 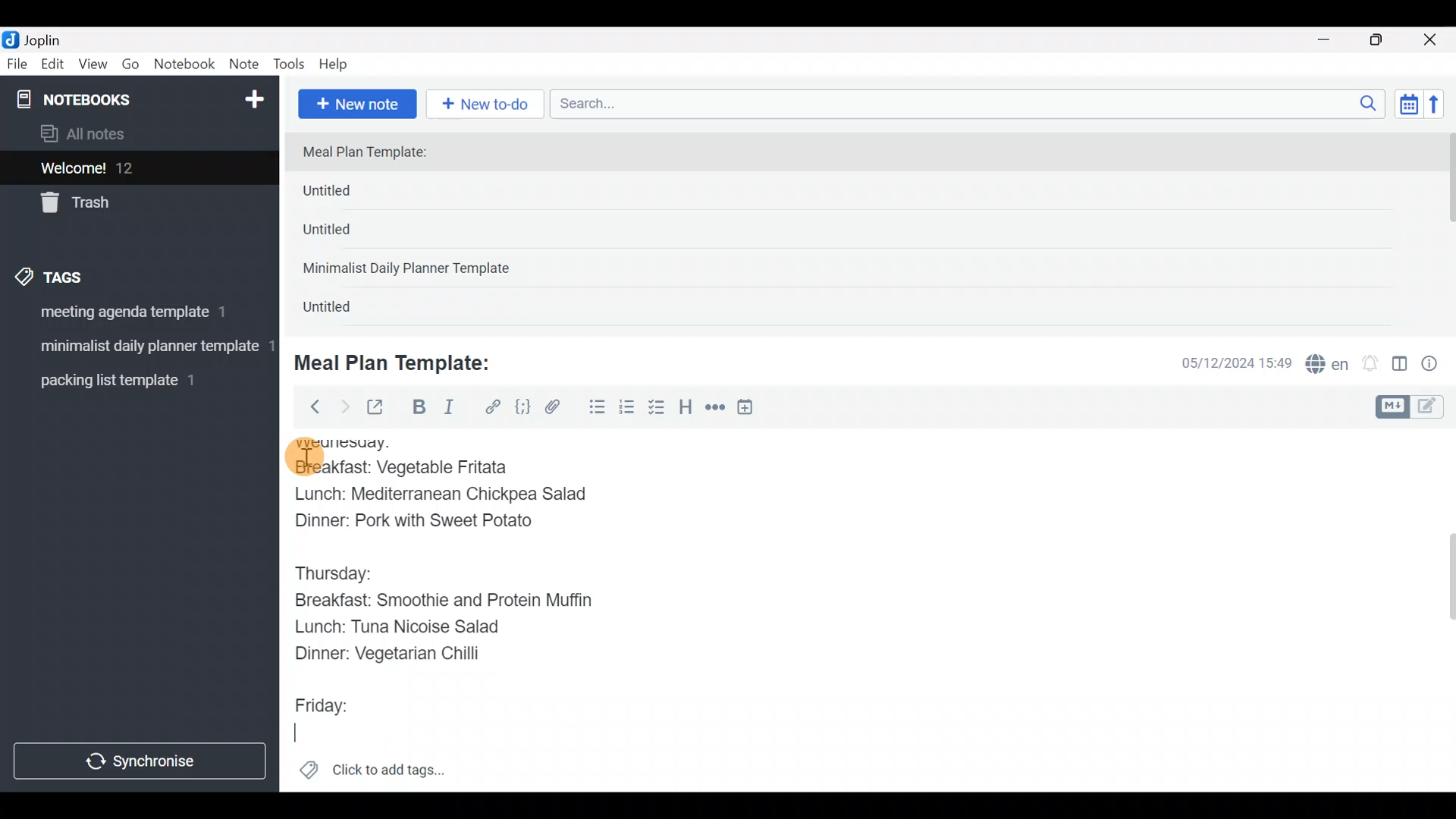 I want to click on Close, so click(x=1432, y=41).